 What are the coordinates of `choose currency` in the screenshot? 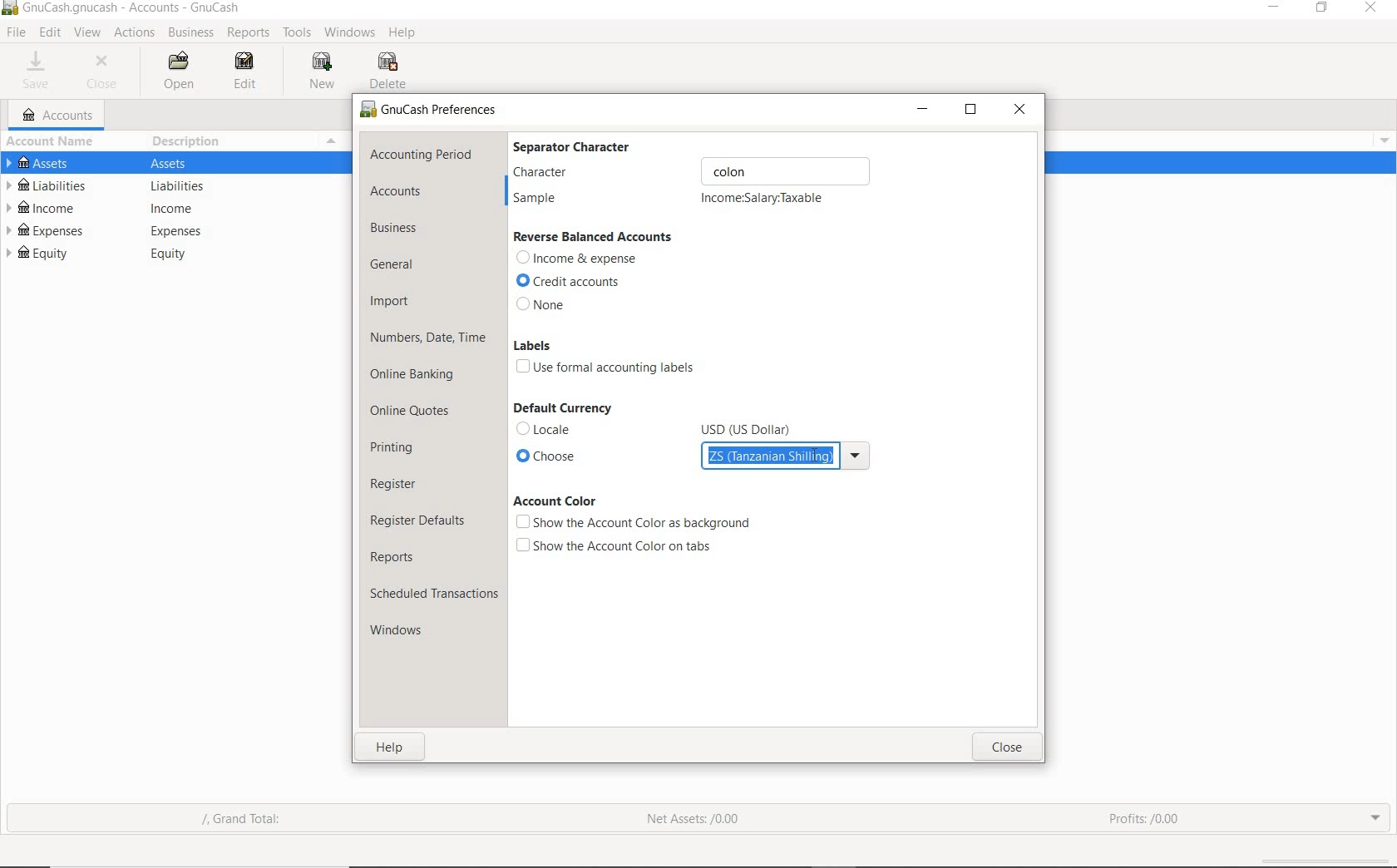 It's located at (591, 458).